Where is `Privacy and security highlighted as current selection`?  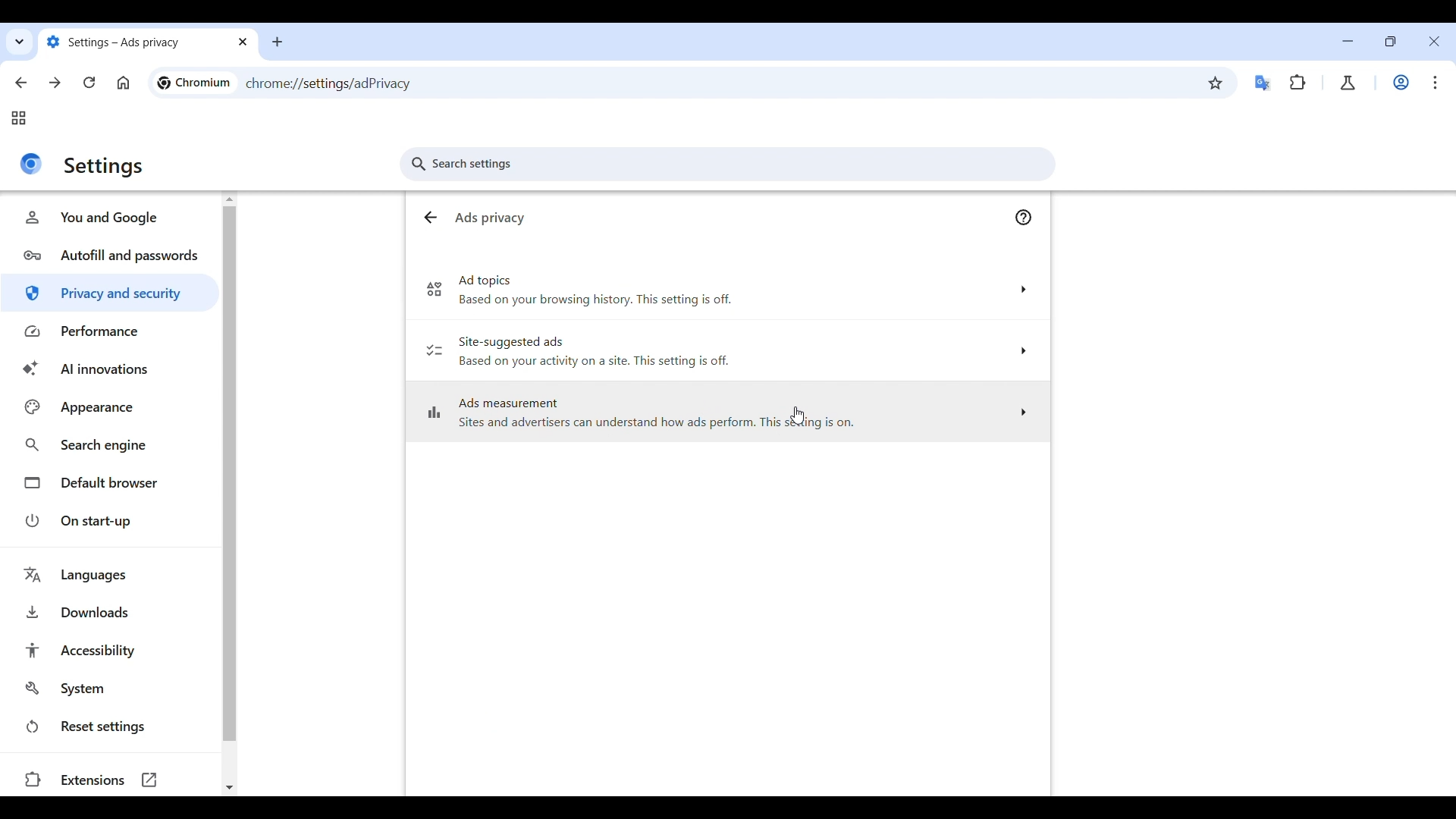
Privacy and security highlighted as current selection is located at coordinates (111, 293).